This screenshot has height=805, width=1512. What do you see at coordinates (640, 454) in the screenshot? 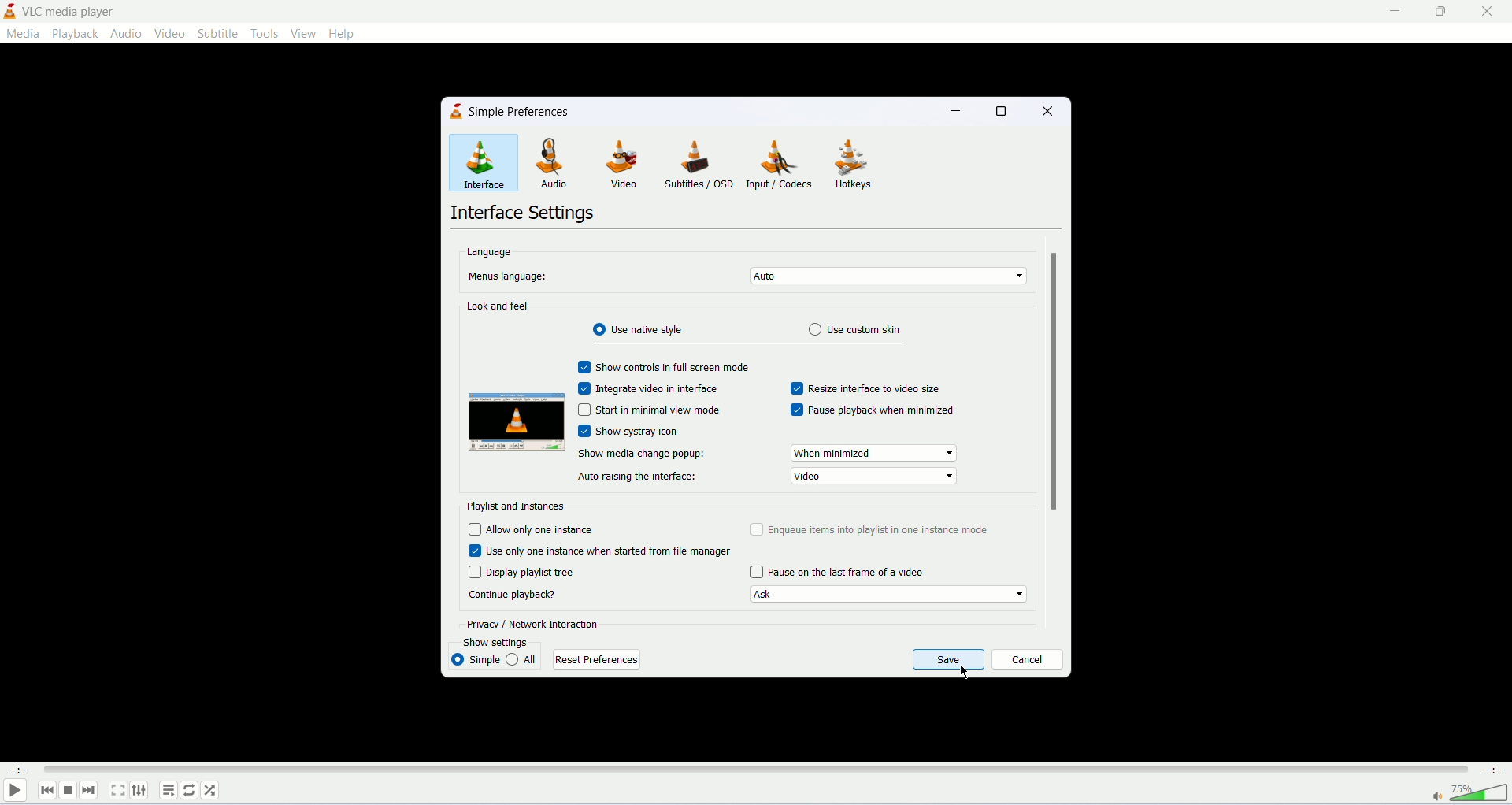
I see `show media change popup` at bounding box center [640, 454].